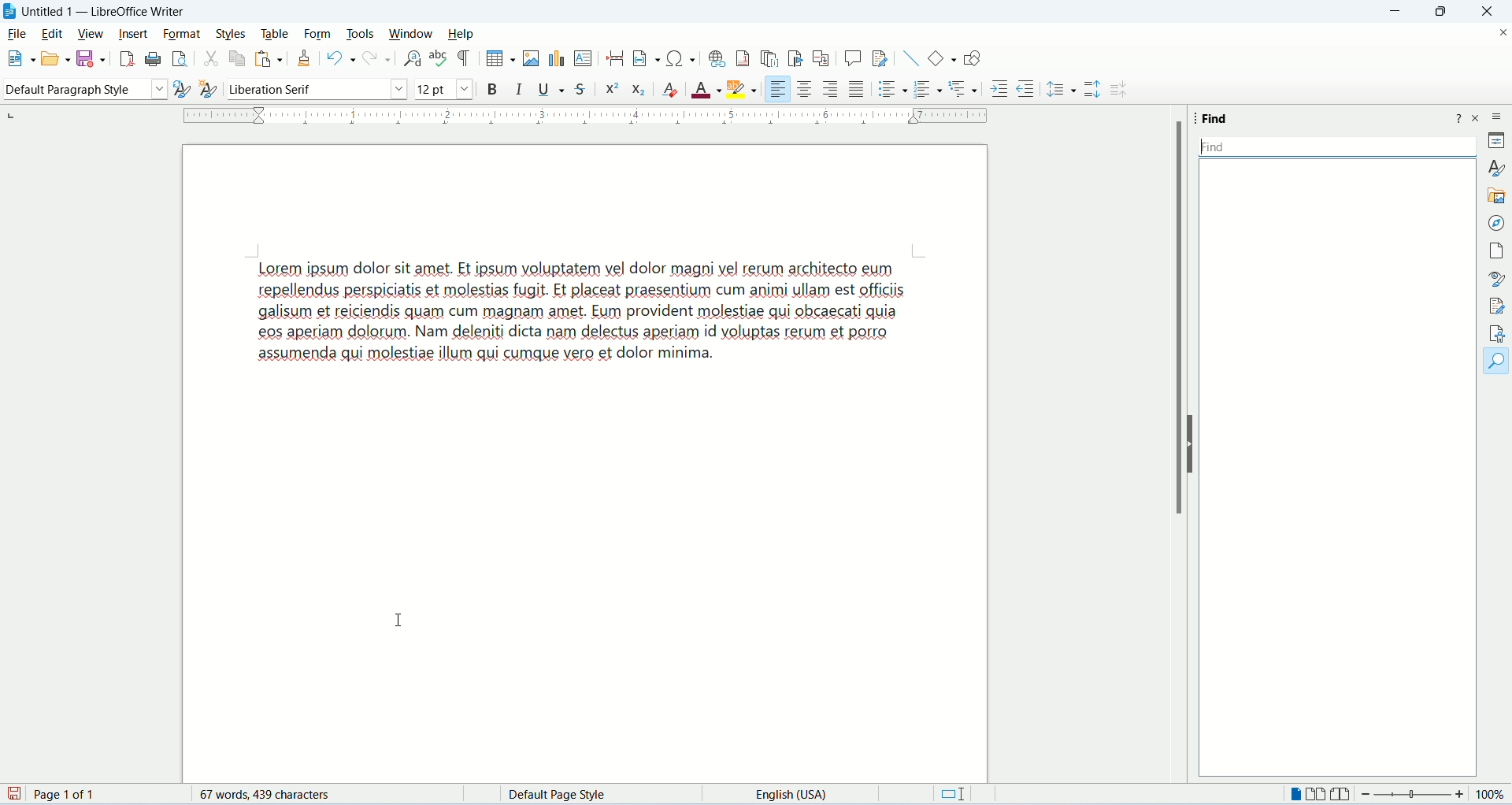 The image size is (1512, 805). What do you see at coordinates (1499, 279) in the screenshot?
I see `style inspector` at bounding box center [1499, 279].